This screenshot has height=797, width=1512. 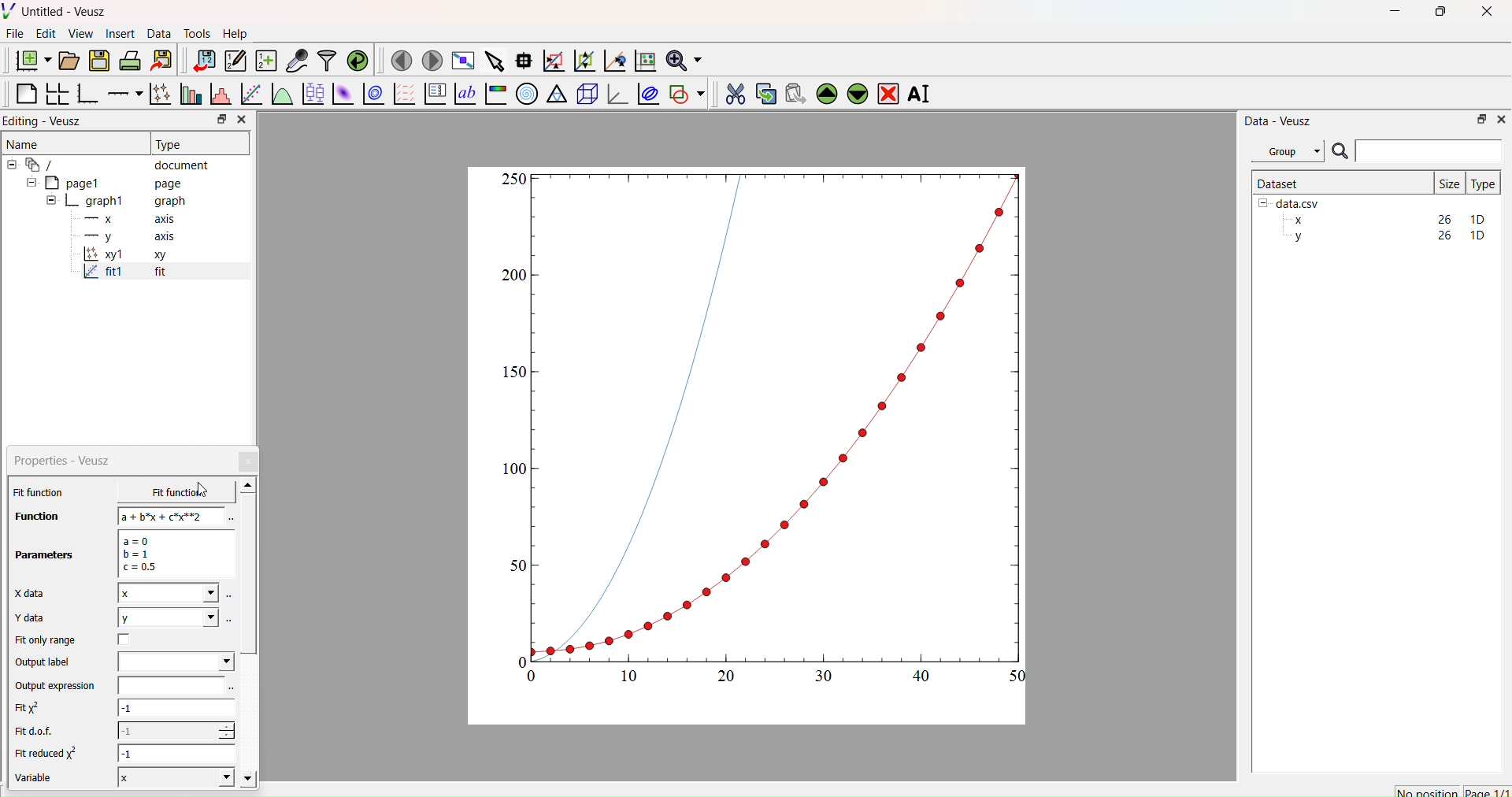 What do you see at coordinates (326, 60) in the screenshot?
I see `Filter data` at bounding box center [326, 60].